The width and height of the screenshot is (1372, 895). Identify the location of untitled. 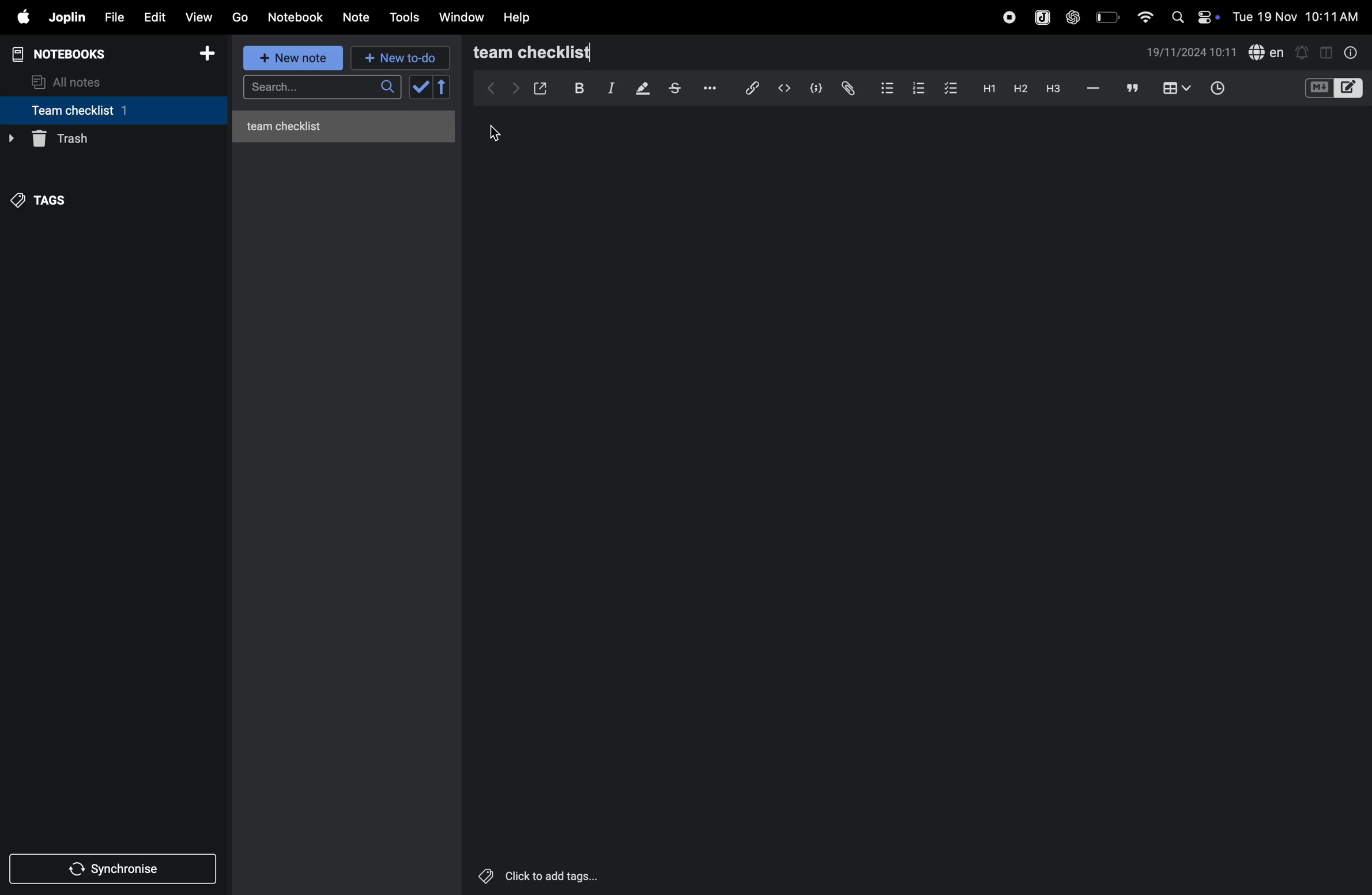
(348, 123).